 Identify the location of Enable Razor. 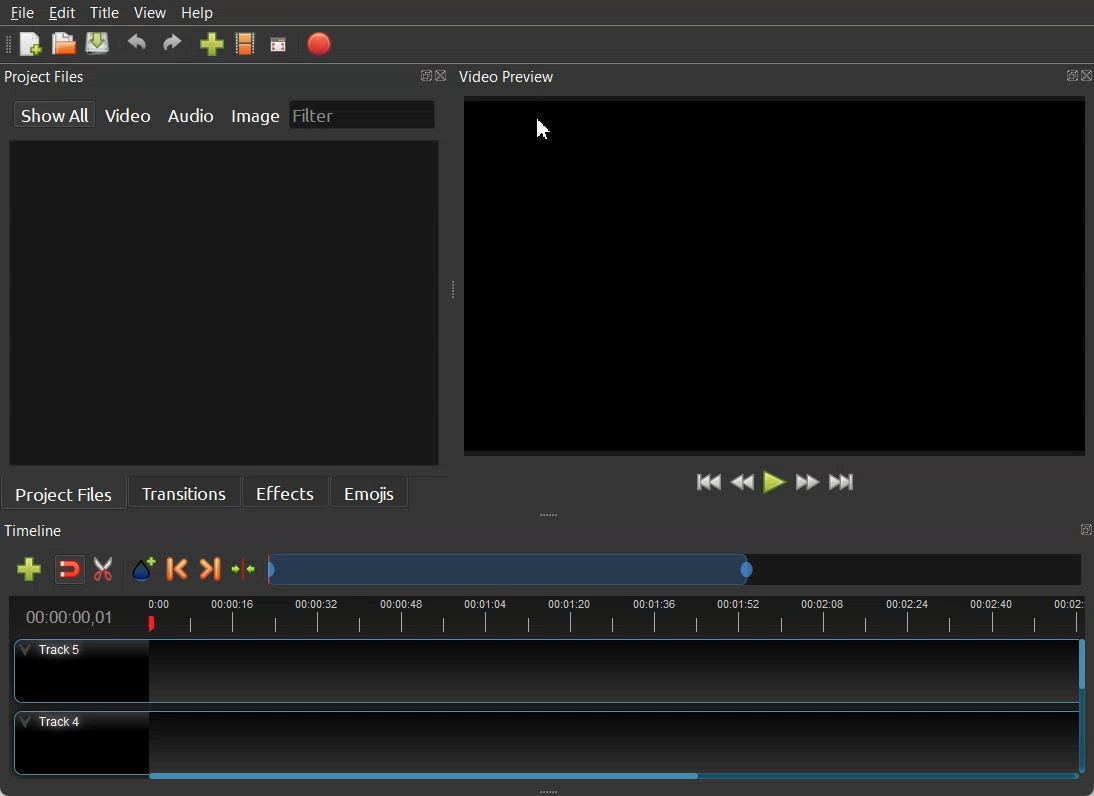
(103, 568).